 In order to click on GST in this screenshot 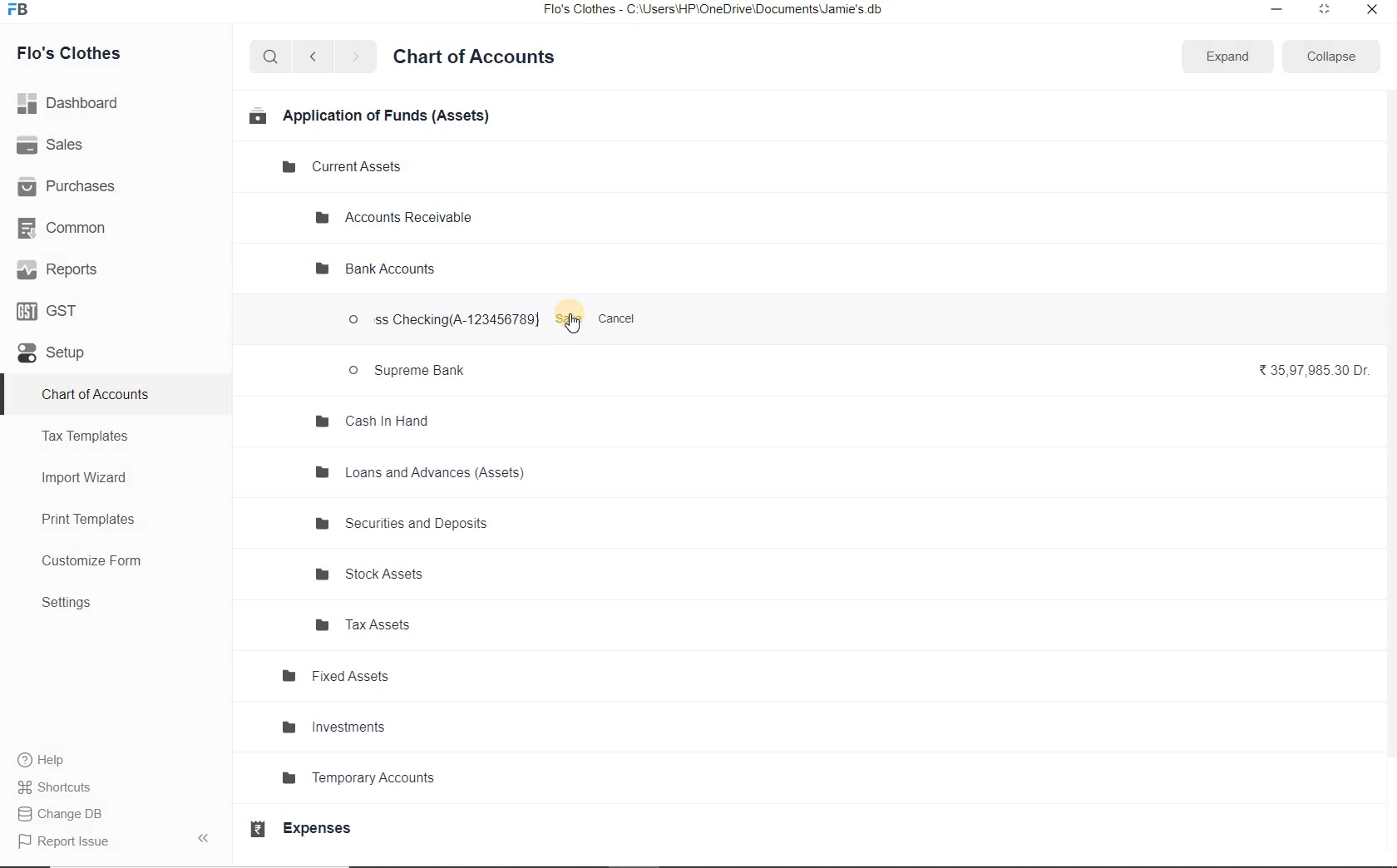, I will do `click(54, 309)`.